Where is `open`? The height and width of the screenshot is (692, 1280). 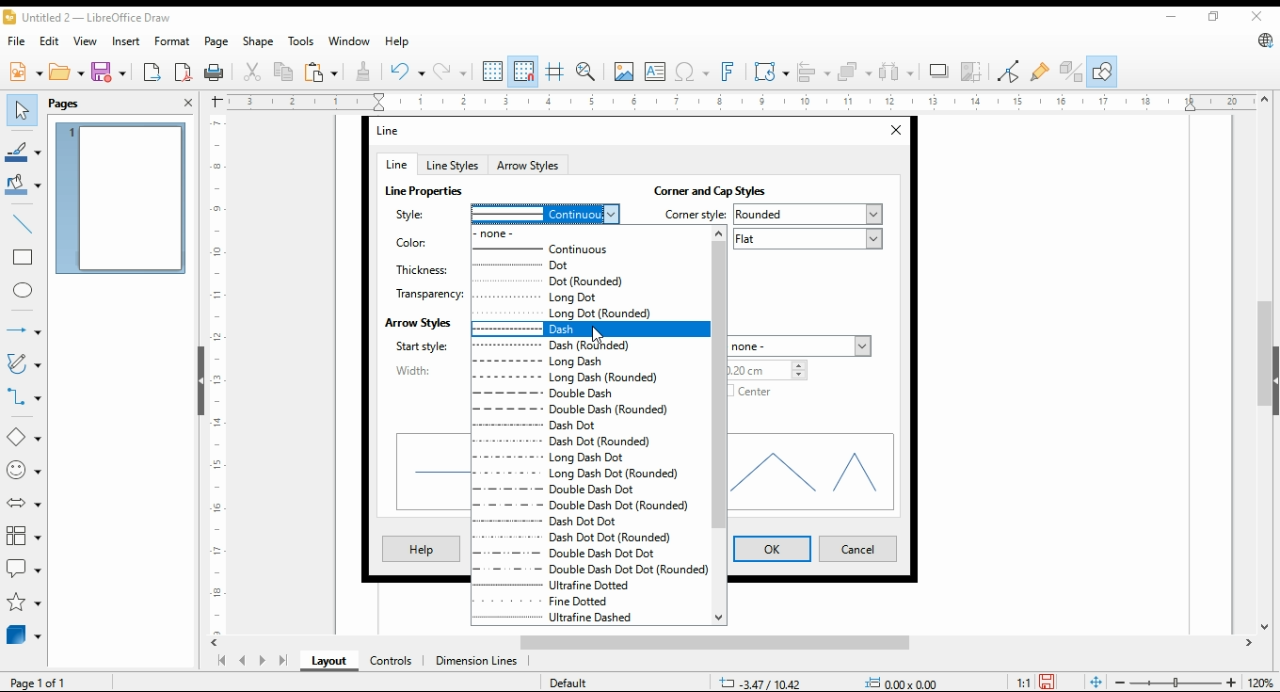
open is located at coordinates (67, 70).